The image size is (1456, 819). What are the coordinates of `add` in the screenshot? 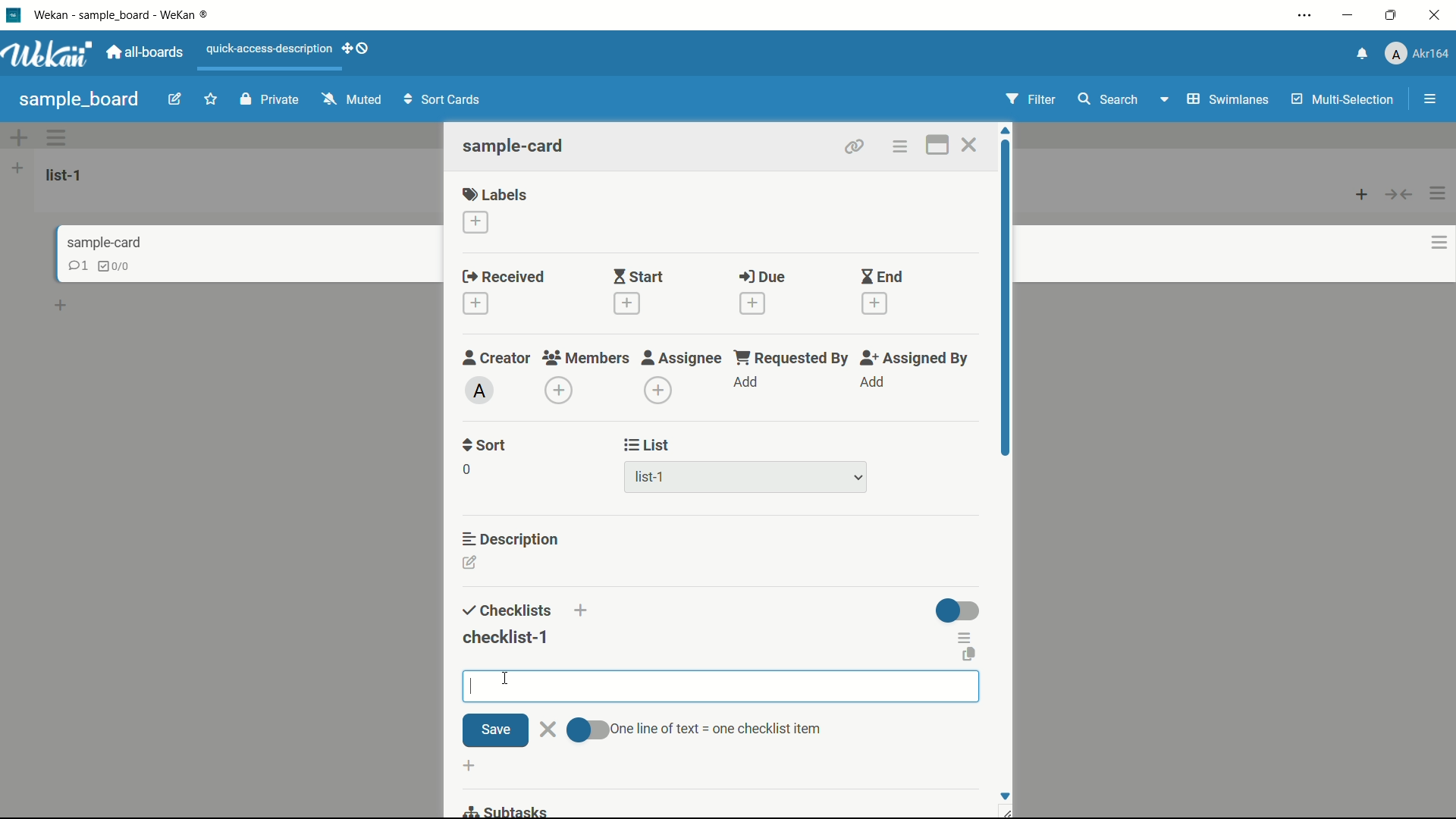 It's located at (748, 383).